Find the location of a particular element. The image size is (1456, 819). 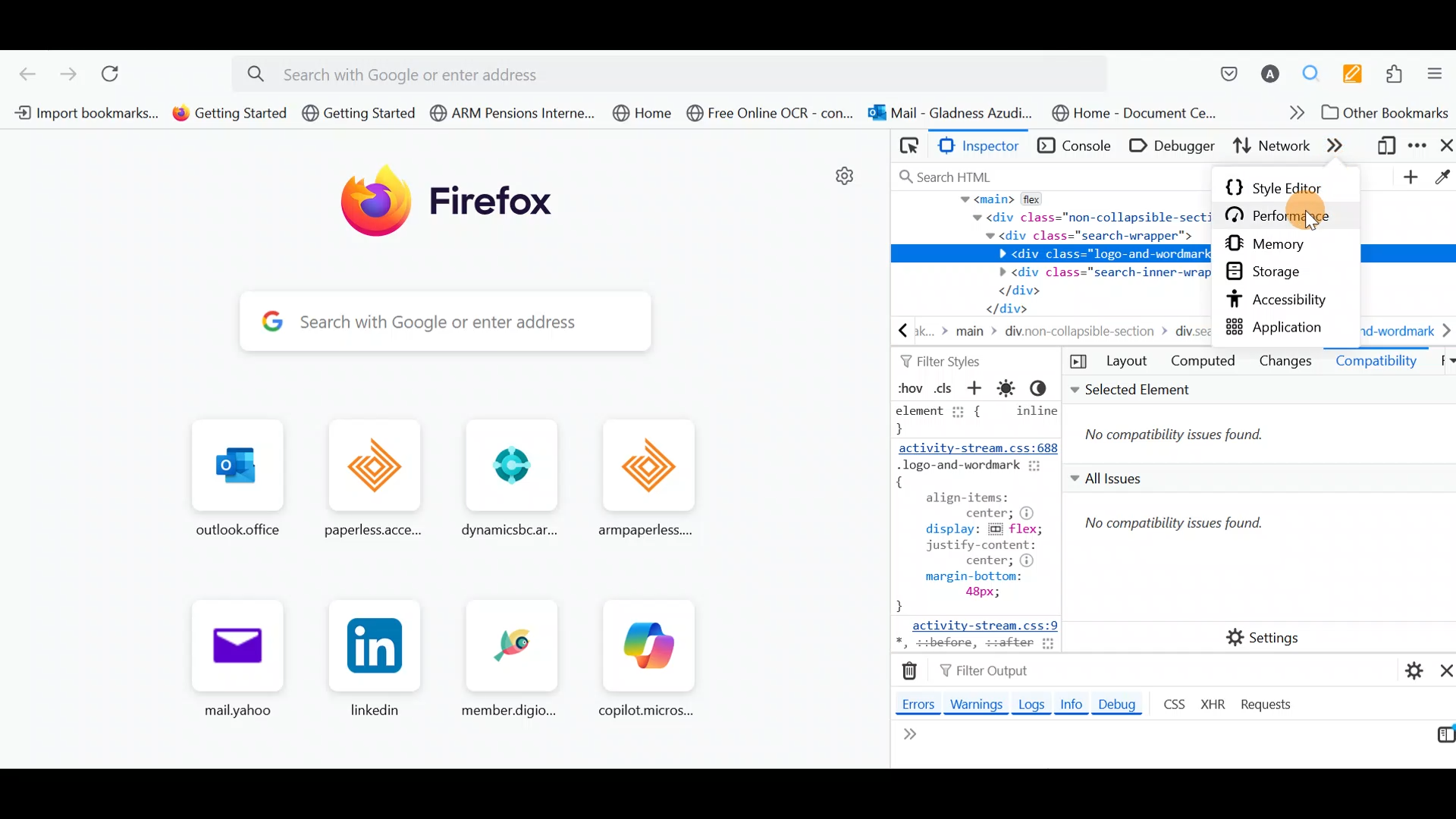

Other bookmarks is located at coordinates (1386, 115).